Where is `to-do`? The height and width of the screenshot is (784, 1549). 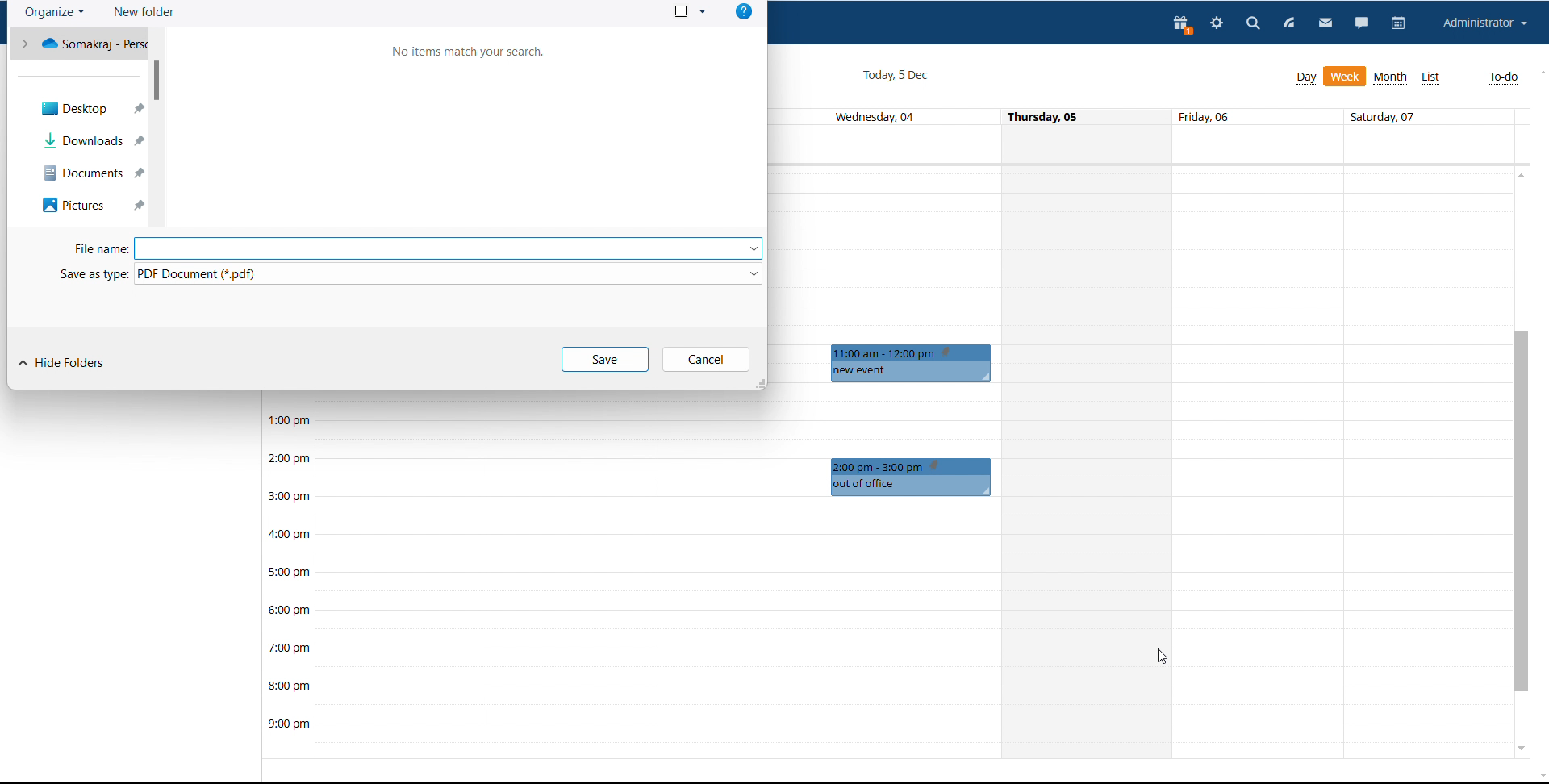
to-do is located at coordinates (1504, 78).